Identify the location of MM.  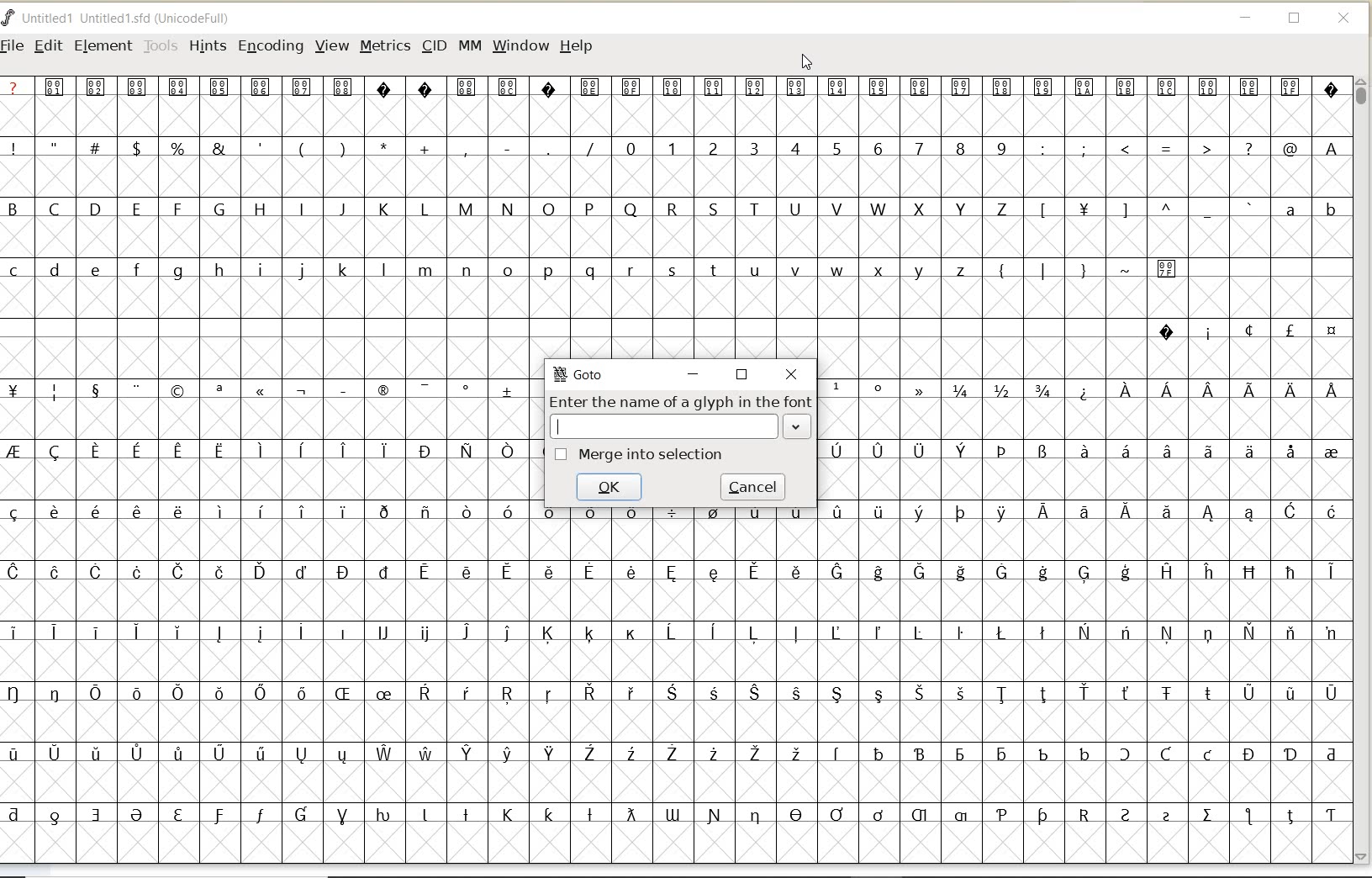
(470, 46).